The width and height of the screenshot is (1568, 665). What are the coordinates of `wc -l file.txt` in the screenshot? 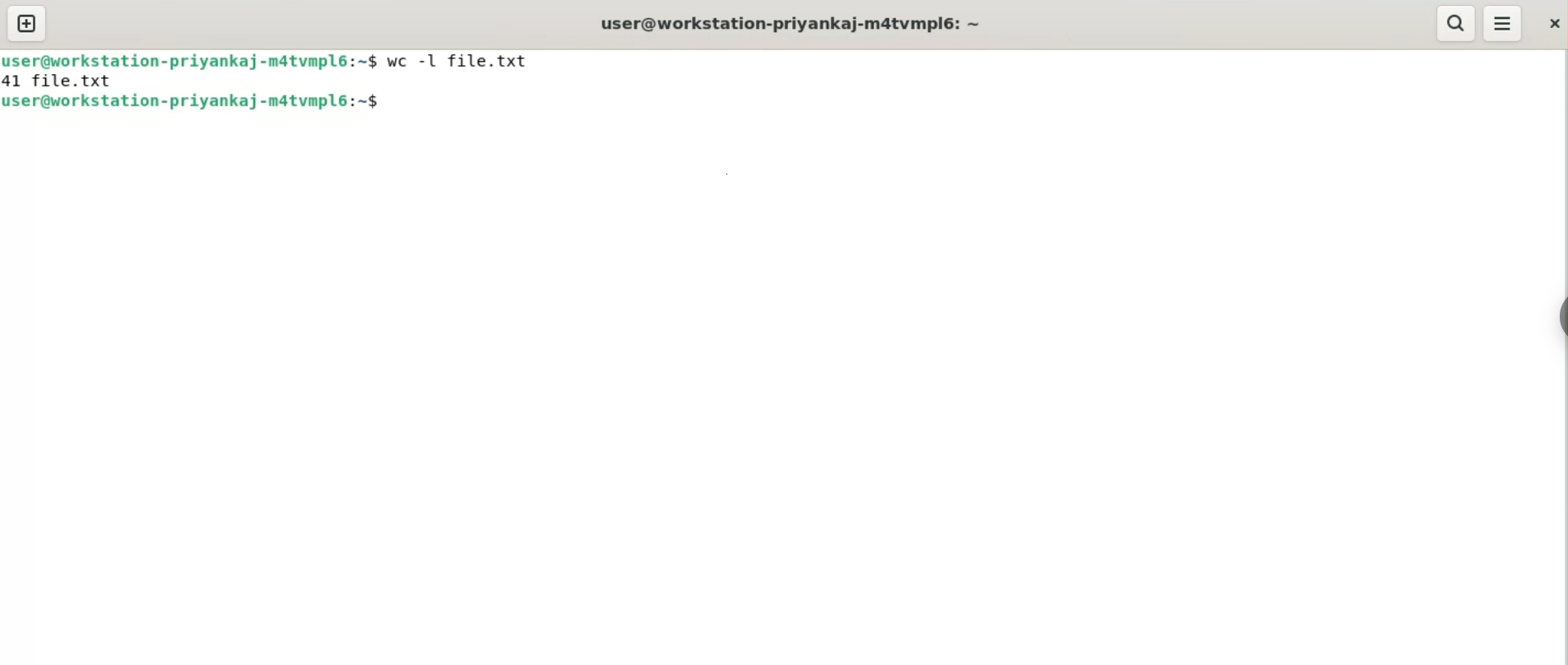 It's located at (462, 61).